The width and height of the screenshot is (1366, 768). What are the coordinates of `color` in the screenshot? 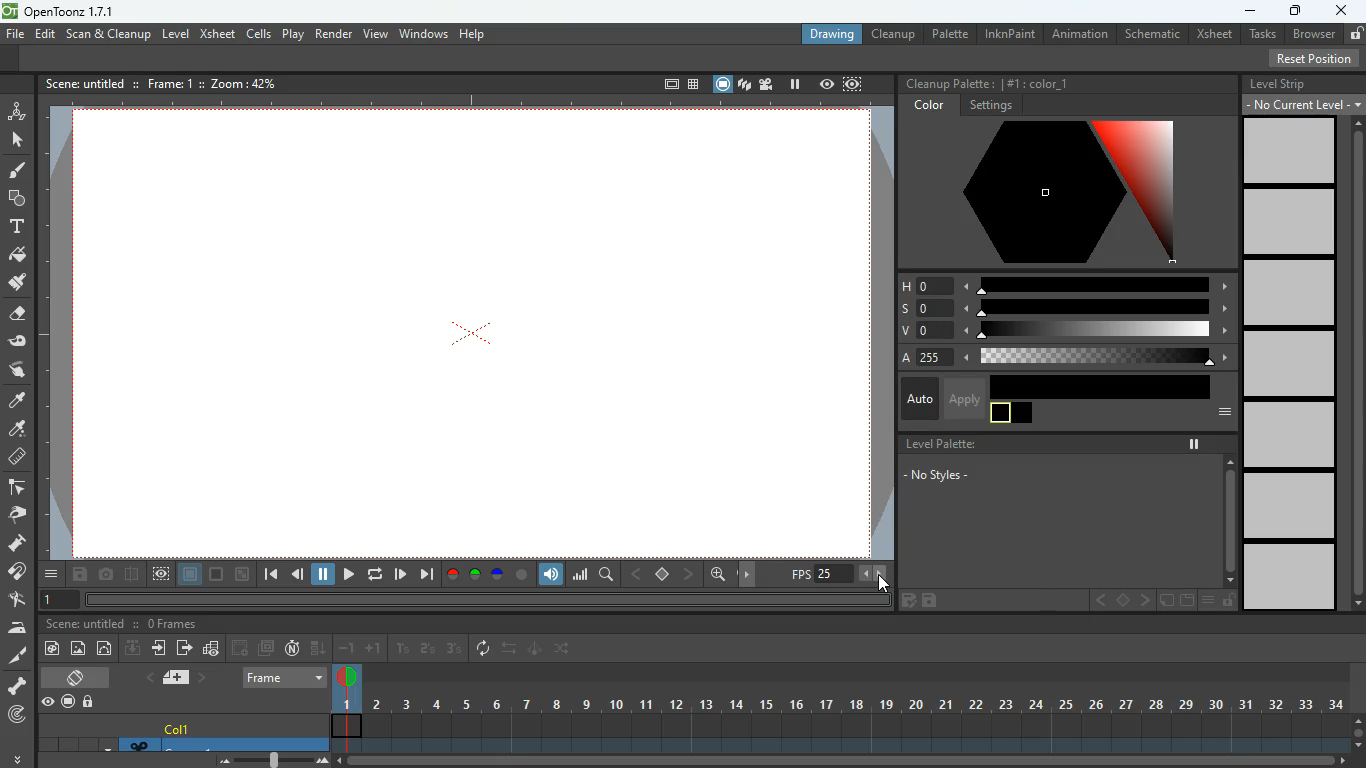 It's located at (1110, 387).